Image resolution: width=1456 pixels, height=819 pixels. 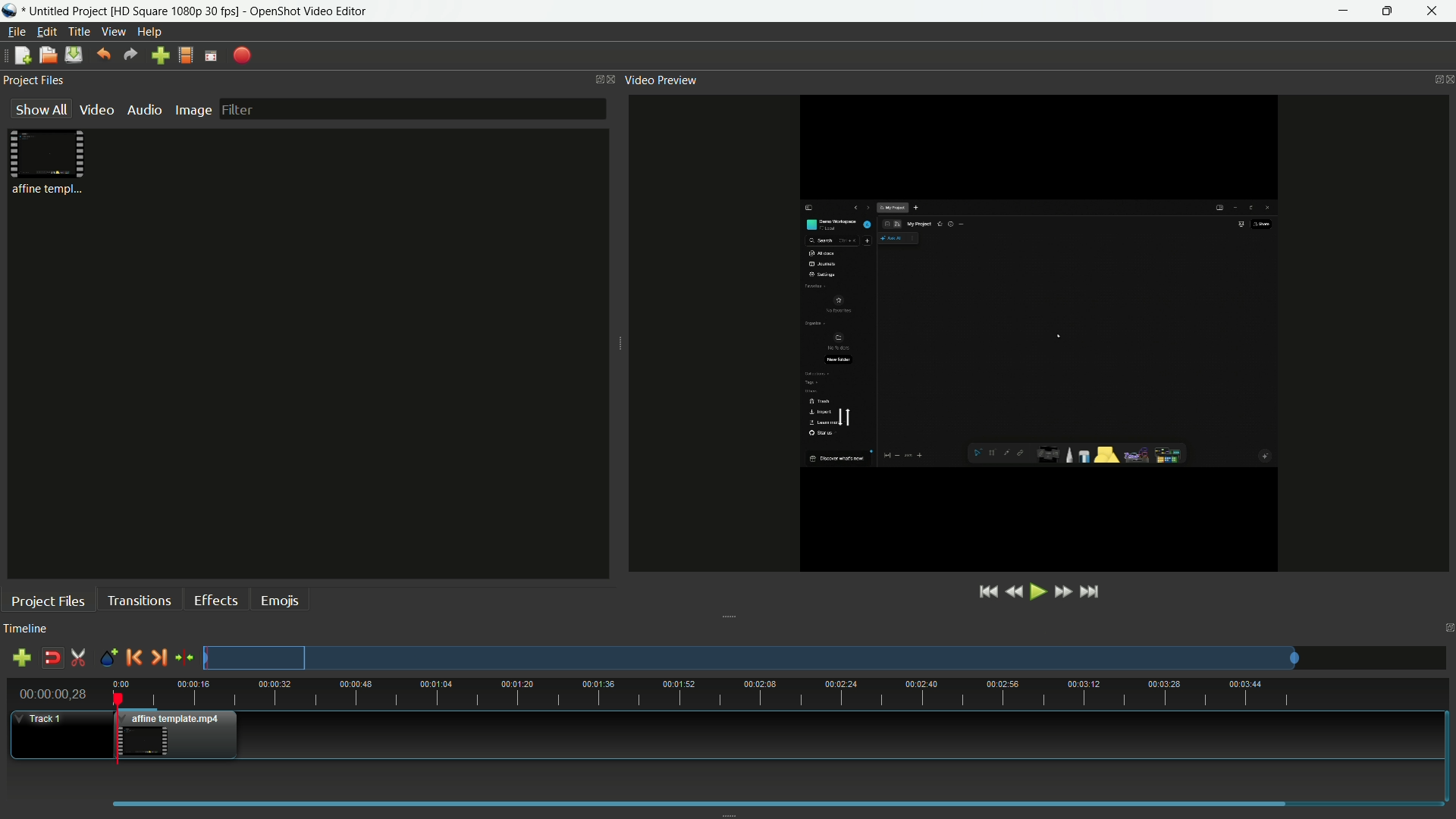 I want to click on project file, so click(x=49, y=162).